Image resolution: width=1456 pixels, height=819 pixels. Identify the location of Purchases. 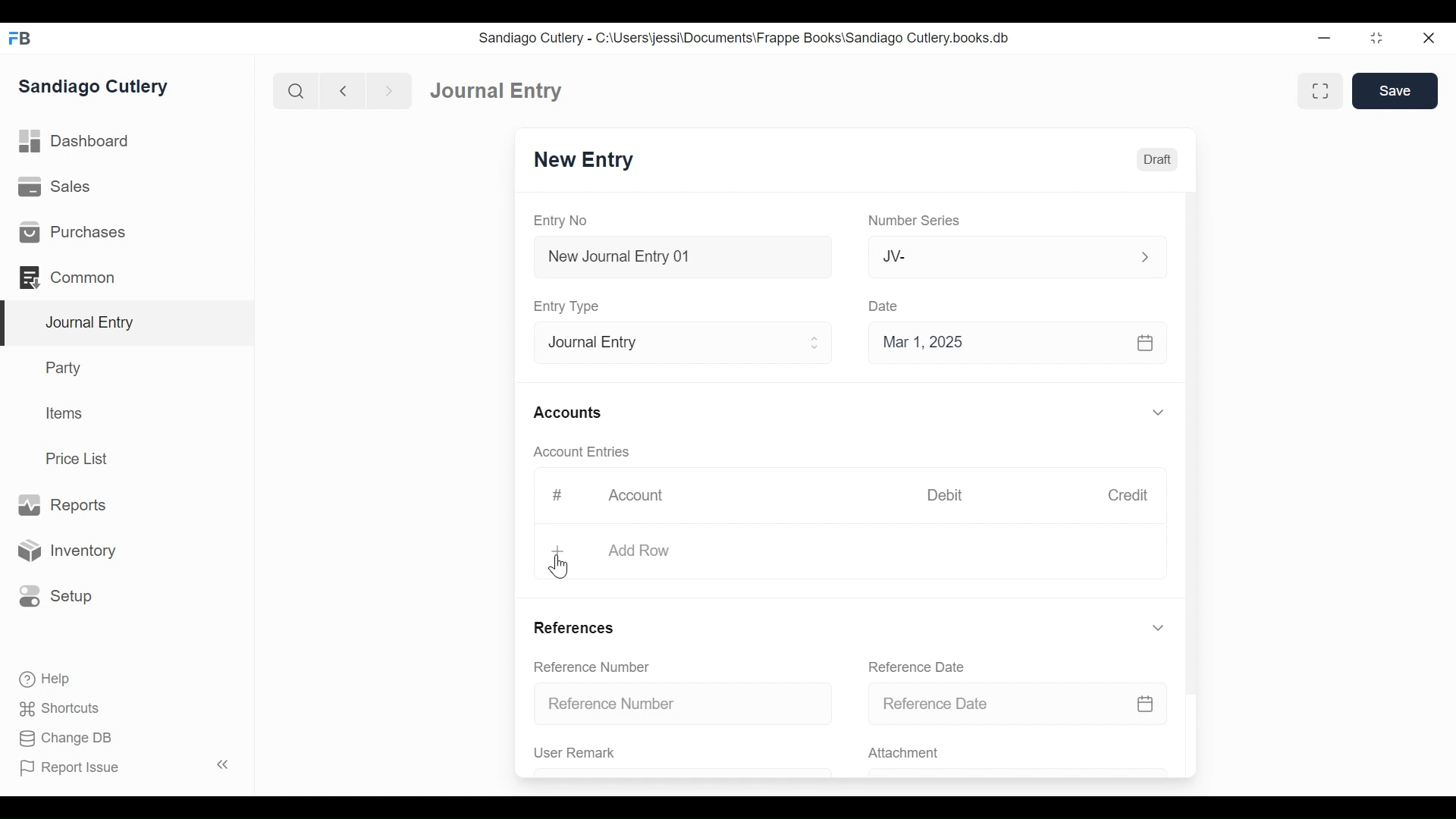
(127, 231).